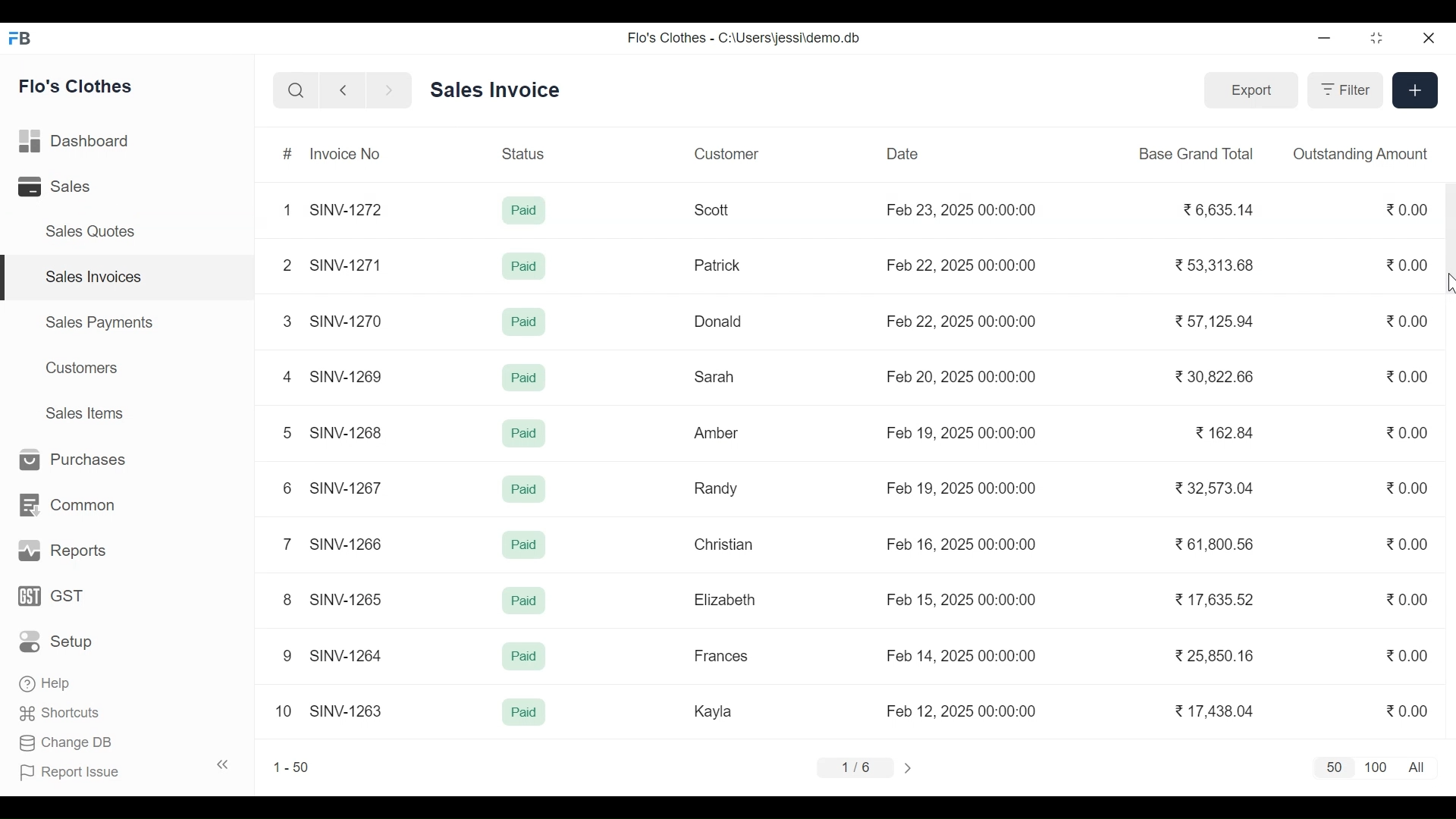 This screenshot has height=819, width=1456. Describe the element at coordinates (713, 711) in the screenshot. I see `Kayla` at that location.